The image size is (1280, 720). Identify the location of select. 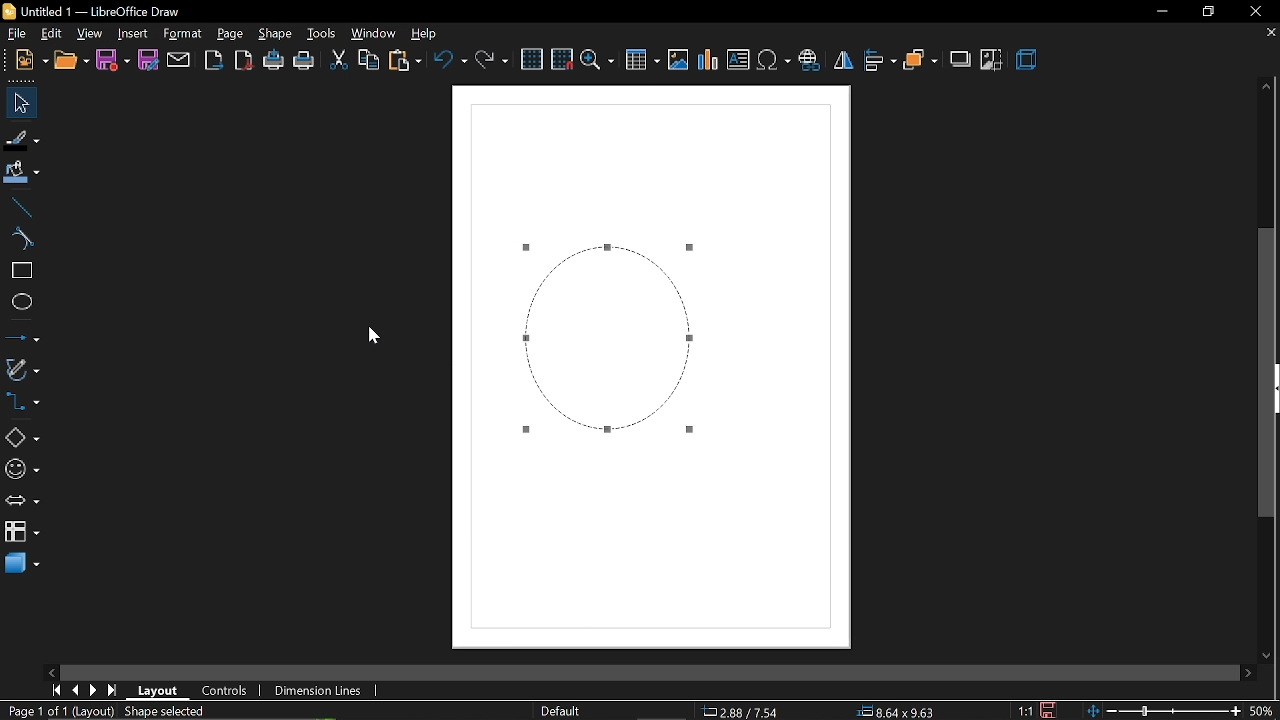
(19, 104).